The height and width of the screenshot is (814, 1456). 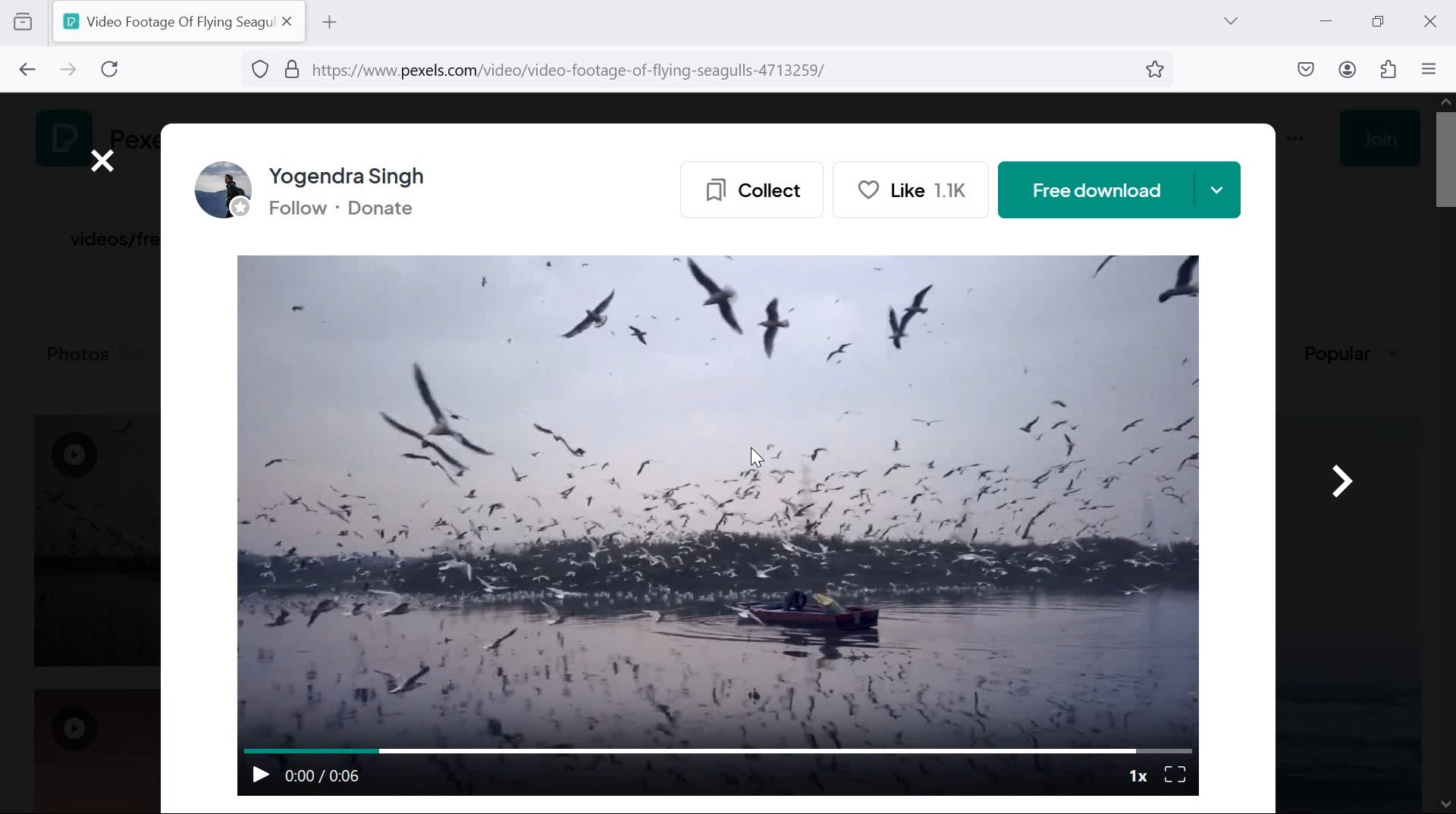 What do you see at coordinates (586, 72) in the screenshot?
I see `https://www.pexels.com/video/video-footage-of-flying-seagulls-4713259/` at bounding box center [586, 72].